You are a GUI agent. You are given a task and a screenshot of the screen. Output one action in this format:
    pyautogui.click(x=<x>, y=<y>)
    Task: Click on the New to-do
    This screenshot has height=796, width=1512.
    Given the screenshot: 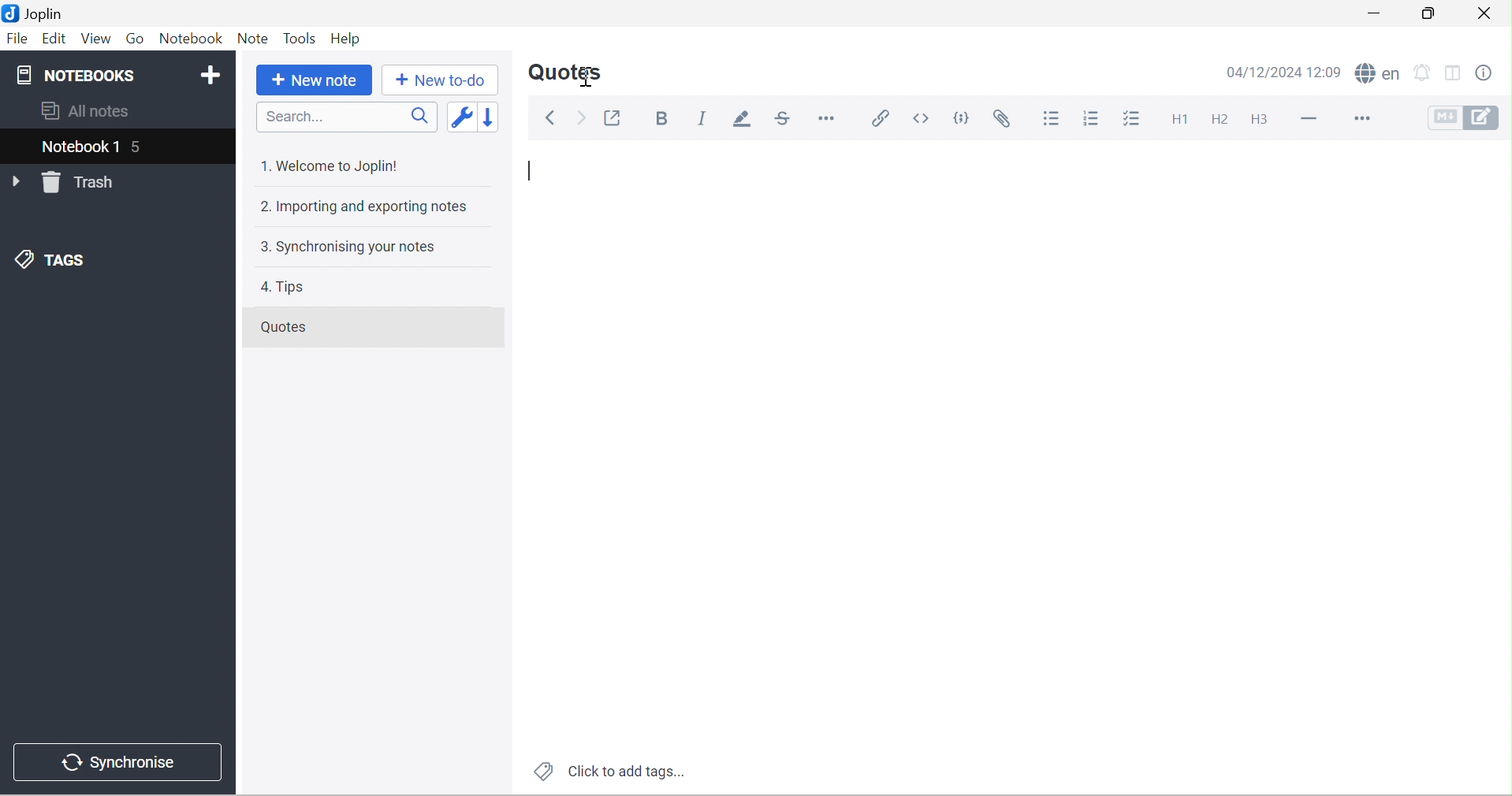 What is the action you would take?
    pyautogui.click(x=439, y=80)
    